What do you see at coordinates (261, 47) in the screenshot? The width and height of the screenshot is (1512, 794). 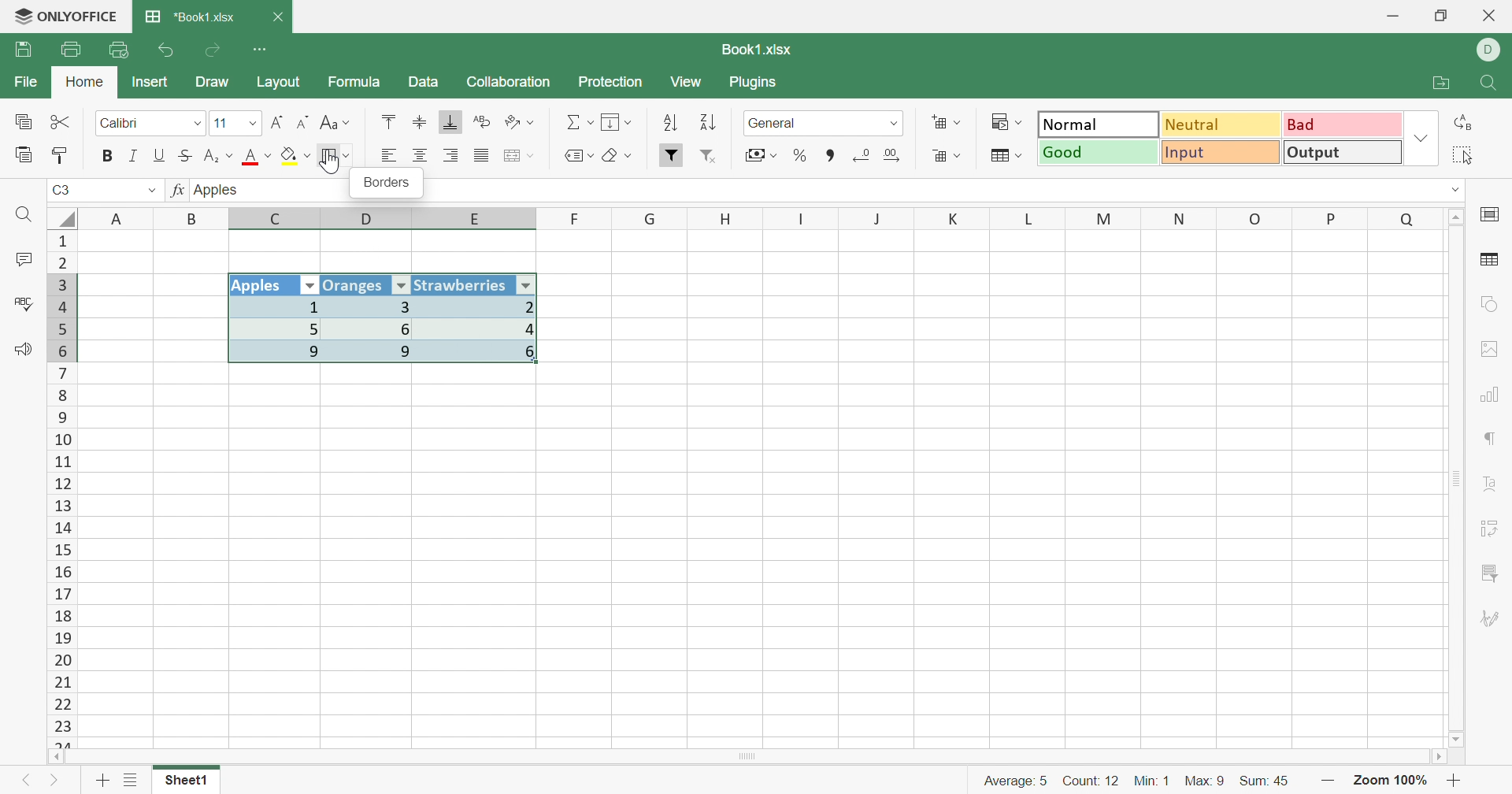 I see `Customize quick access toolbar` at bounding box center [261, 47].